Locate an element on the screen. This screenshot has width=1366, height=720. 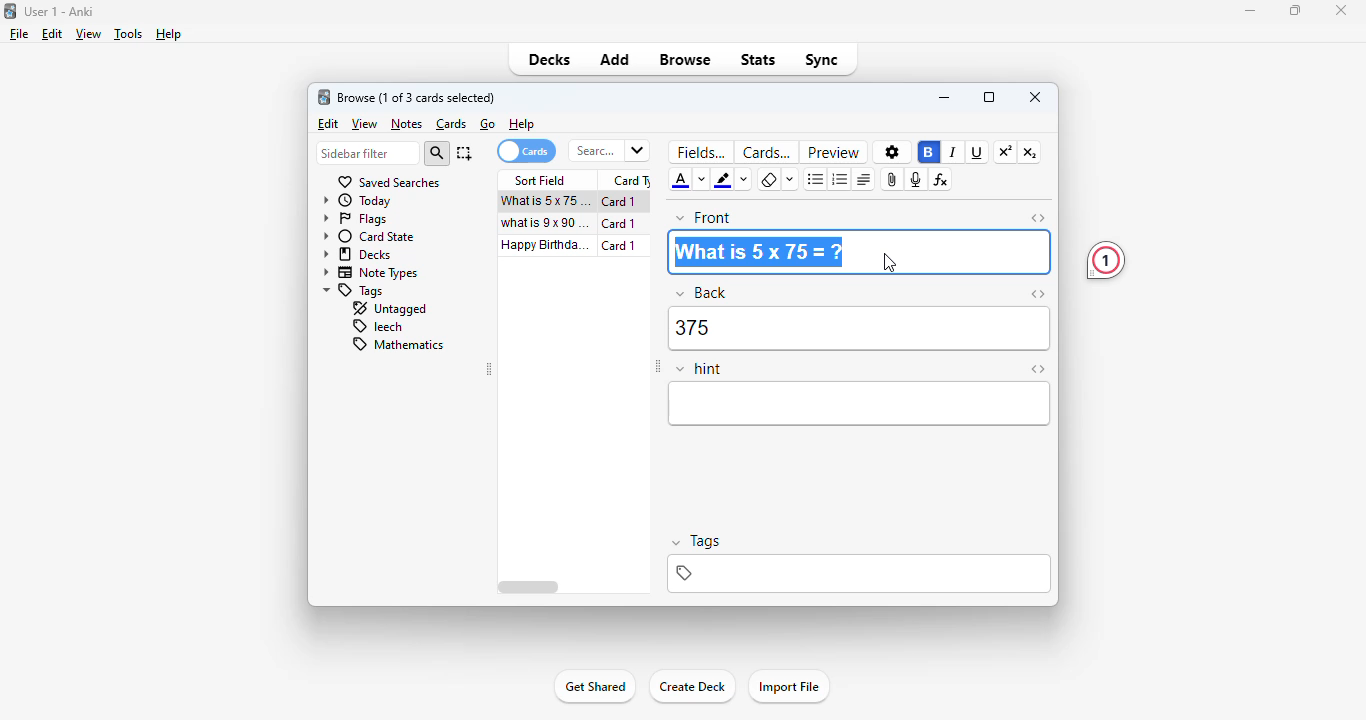
horizontal scroll bar is located at coordinates (529, 587).